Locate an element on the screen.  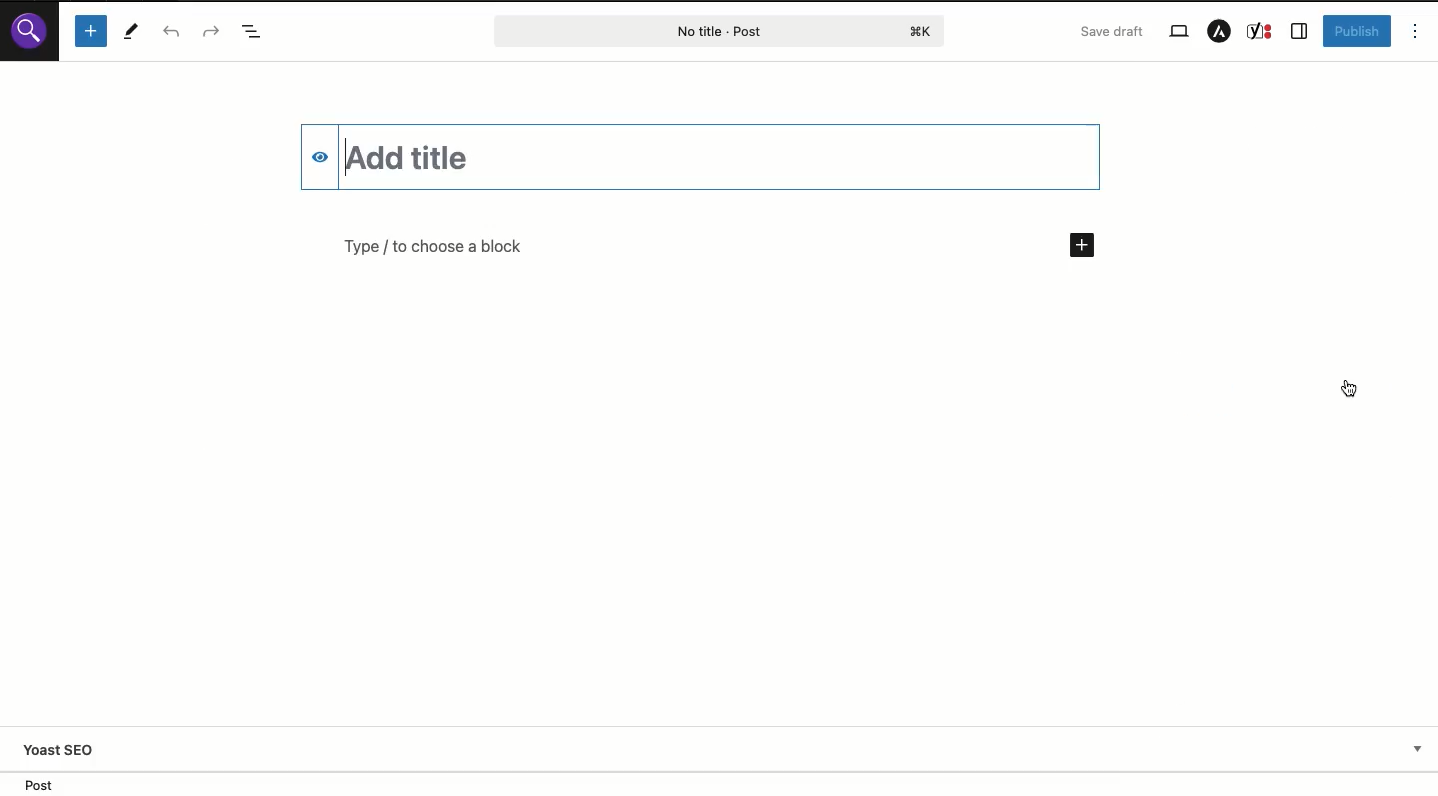
Options is located at coordinates (1414, 31).